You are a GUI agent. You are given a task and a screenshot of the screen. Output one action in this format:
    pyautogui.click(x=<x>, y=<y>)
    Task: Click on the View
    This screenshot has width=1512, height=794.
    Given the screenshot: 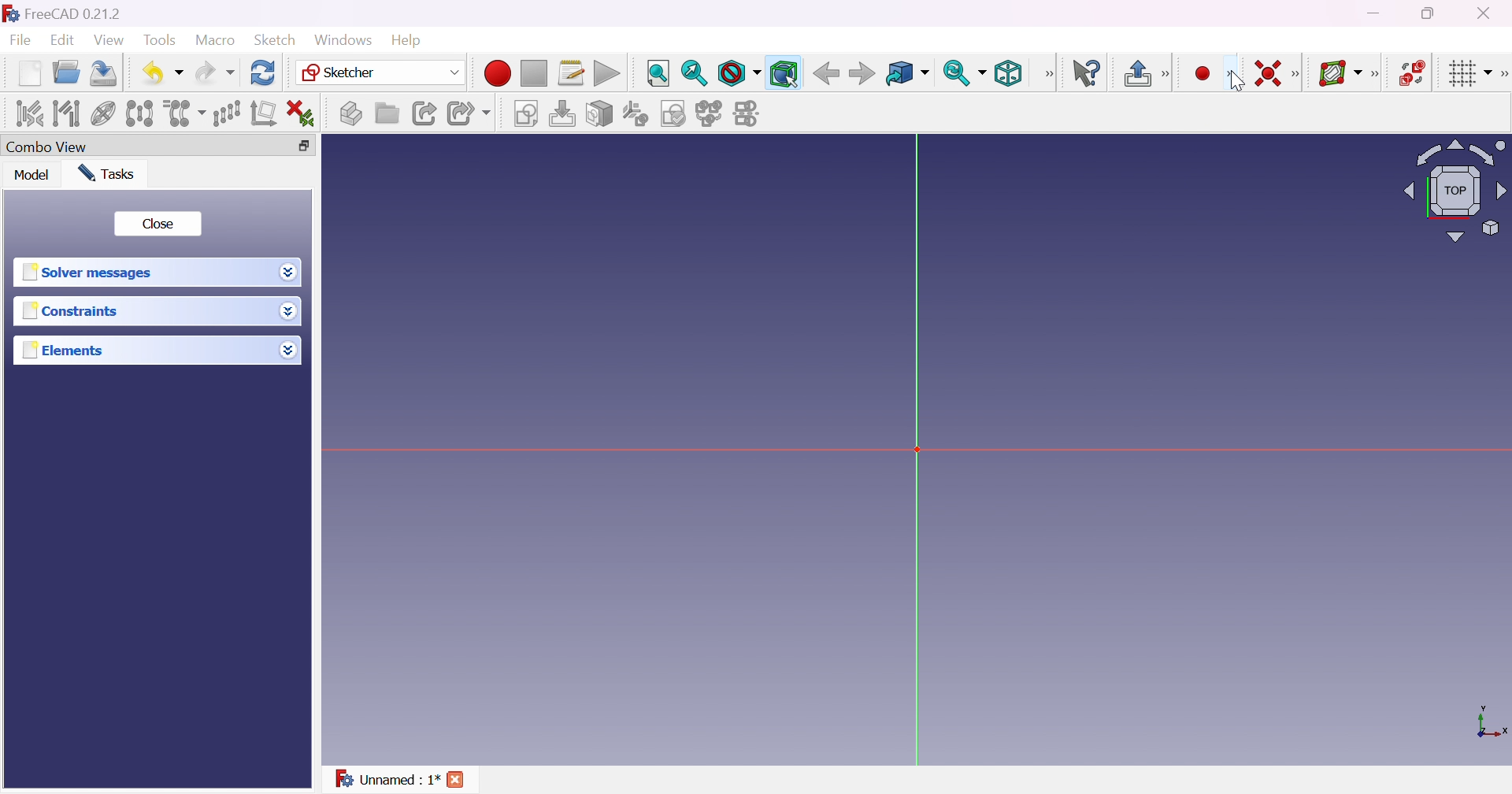 What is the action you would take?
    pyautogui.click(x=109, y=39)
    